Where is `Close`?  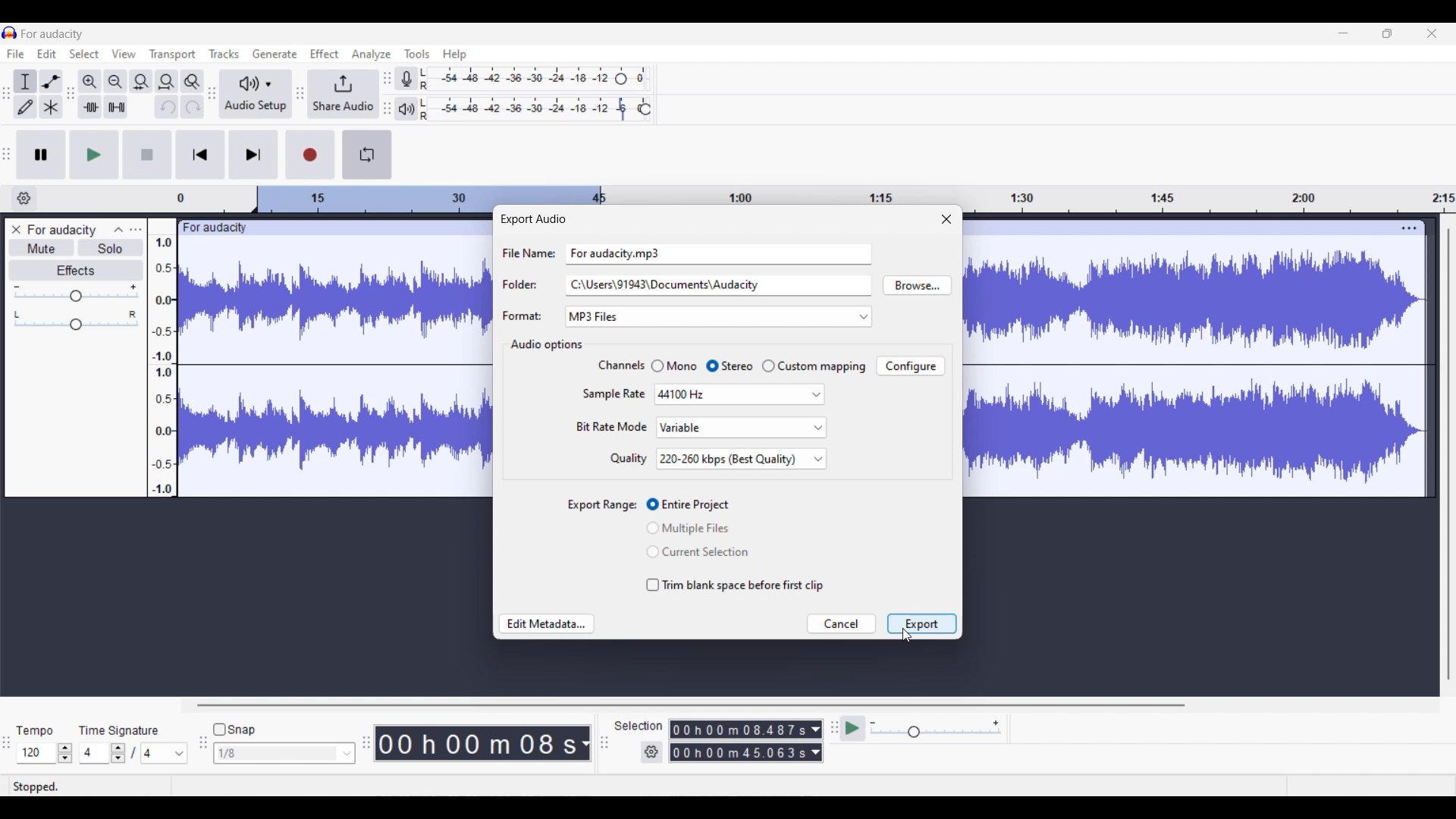
Close is located at coordinates (946, 218).